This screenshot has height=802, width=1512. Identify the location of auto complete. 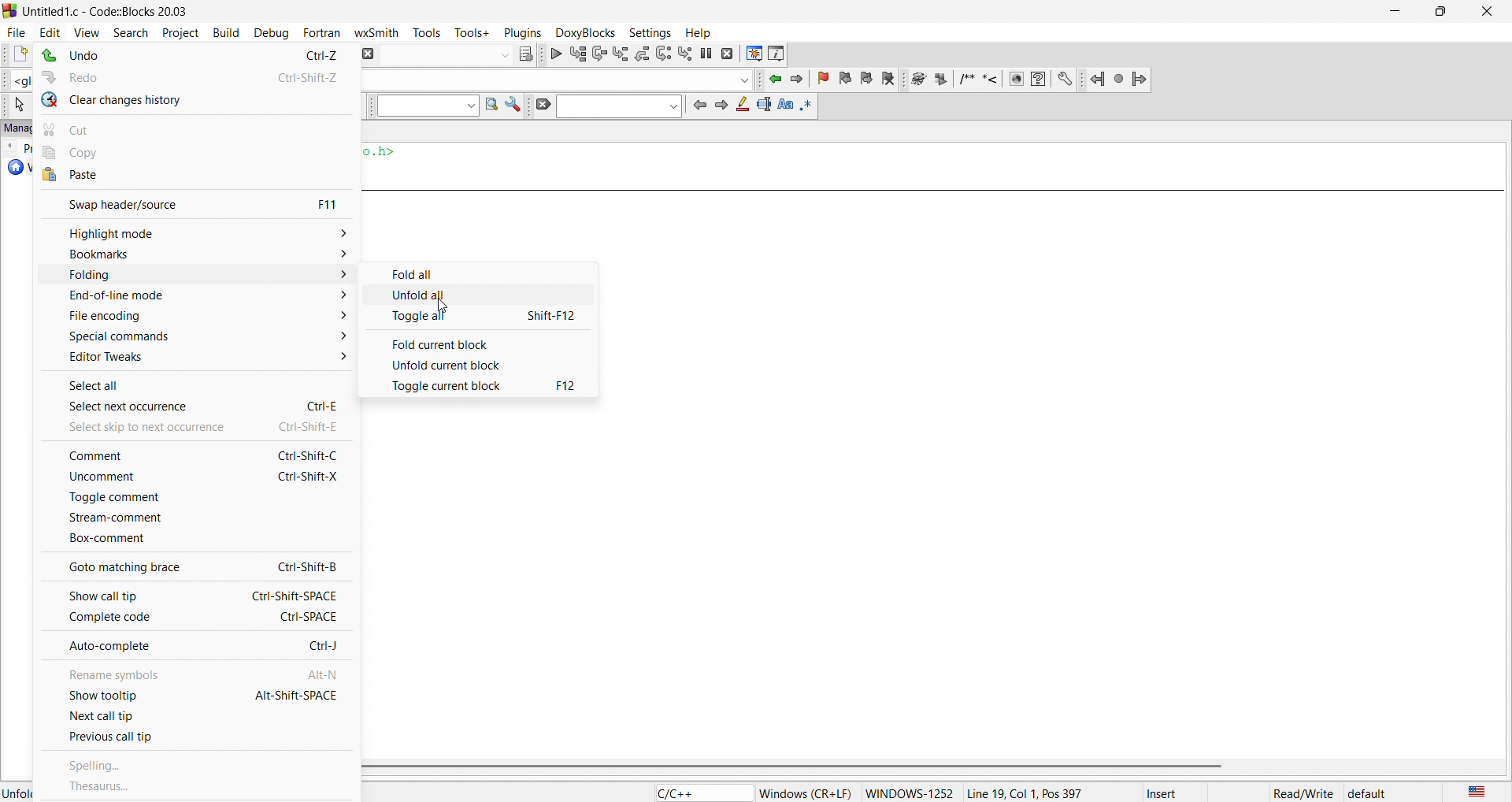
(195, 647).